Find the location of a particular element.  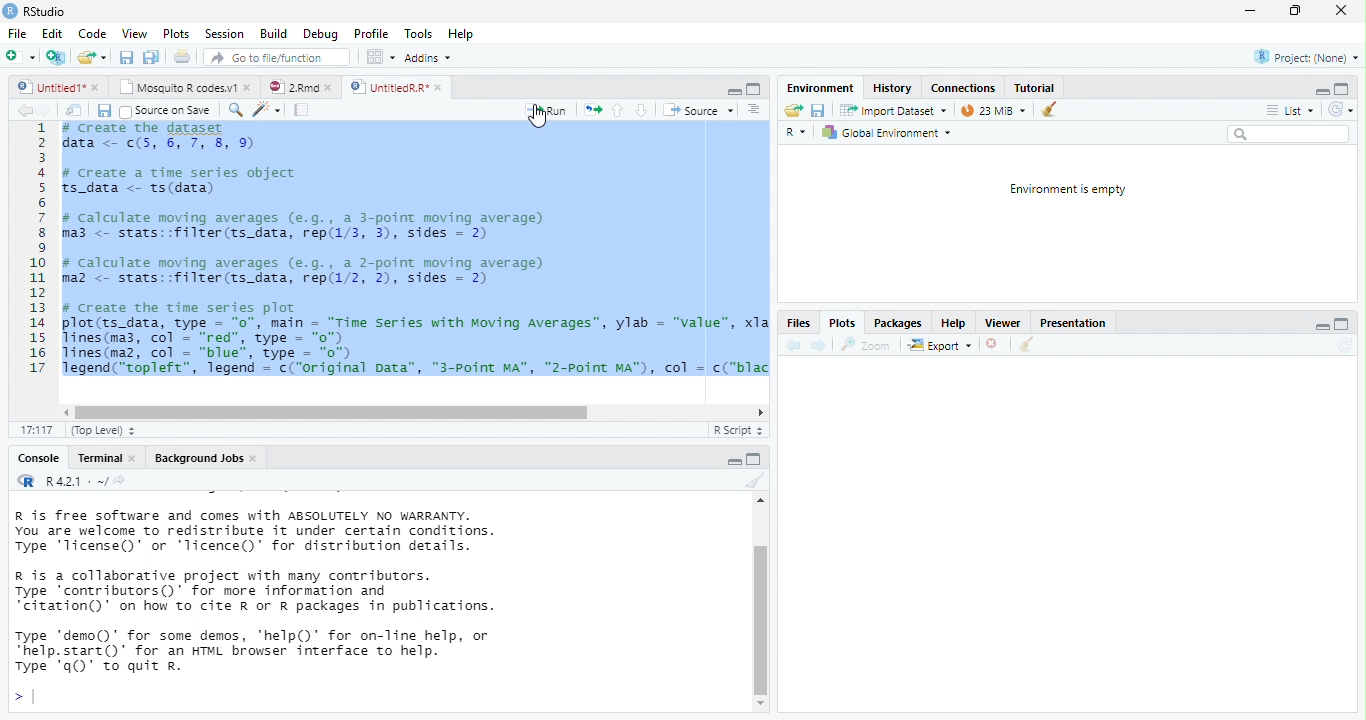

back is located at coordinates (24, 110).